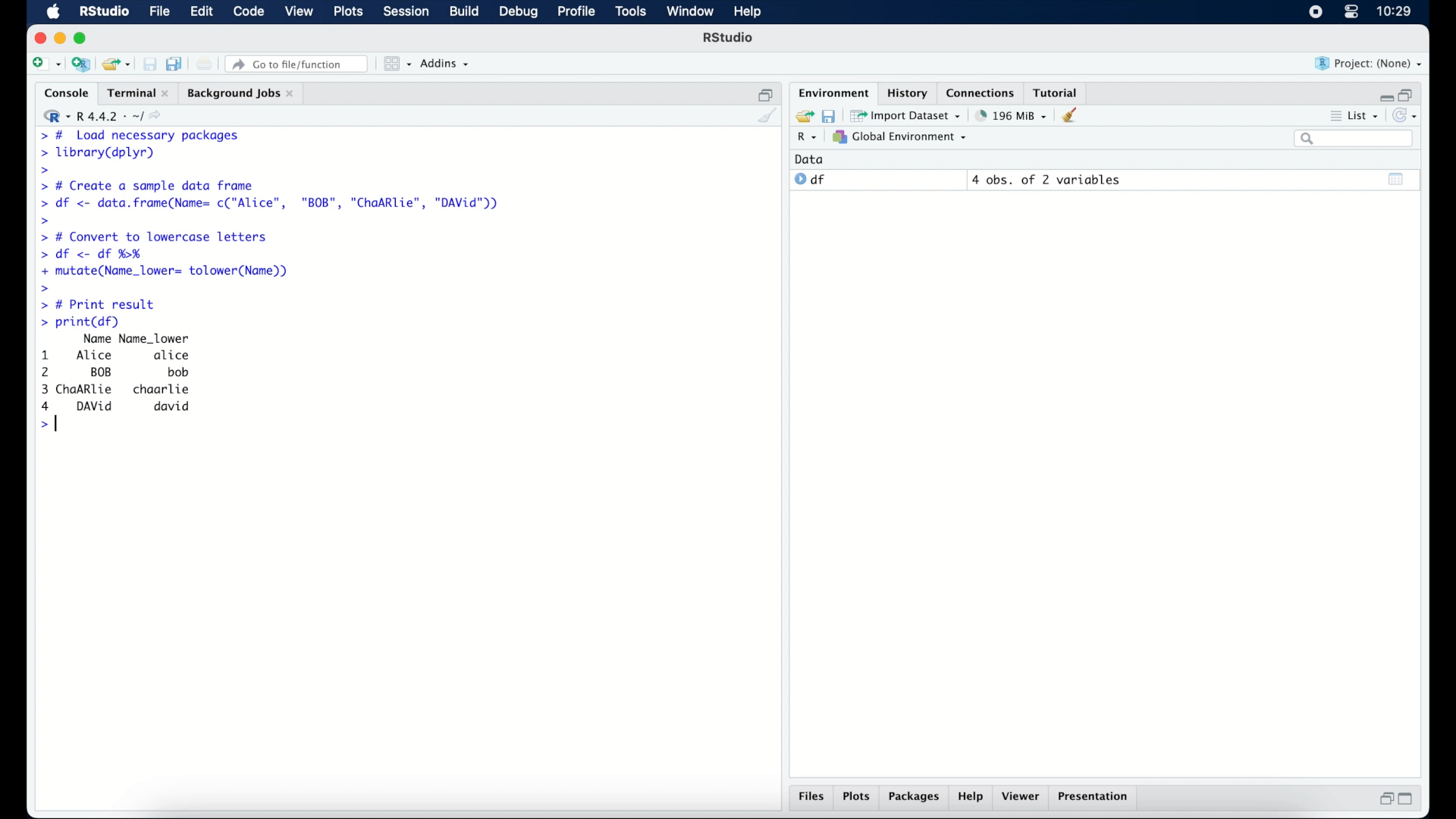  What do you see at coordinates (1384, 94) in the screenshot?
I see `minimize` at bounding box center [1384, 94].